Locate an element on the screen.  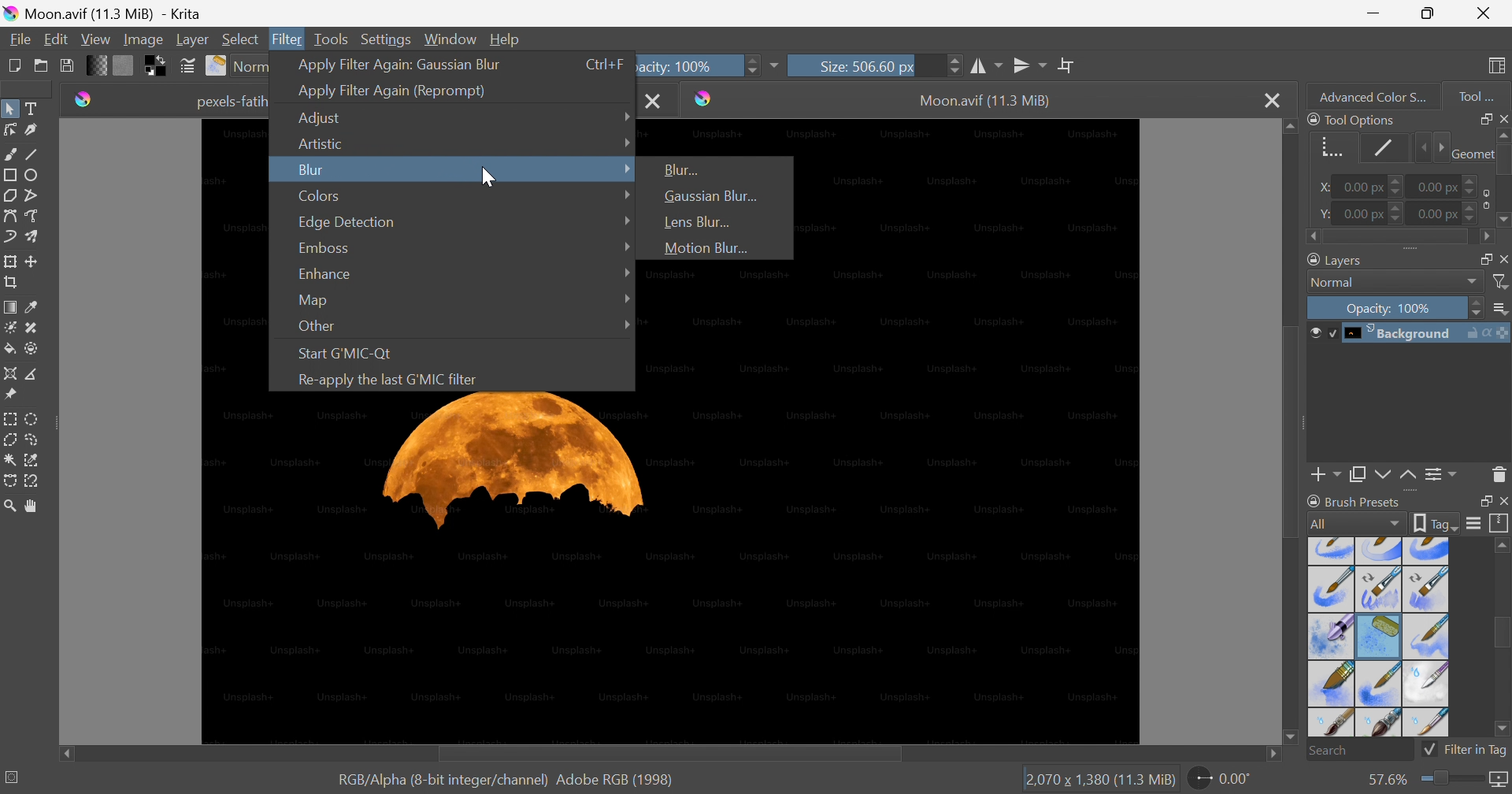
Settings is located at coordinates (386, 41).